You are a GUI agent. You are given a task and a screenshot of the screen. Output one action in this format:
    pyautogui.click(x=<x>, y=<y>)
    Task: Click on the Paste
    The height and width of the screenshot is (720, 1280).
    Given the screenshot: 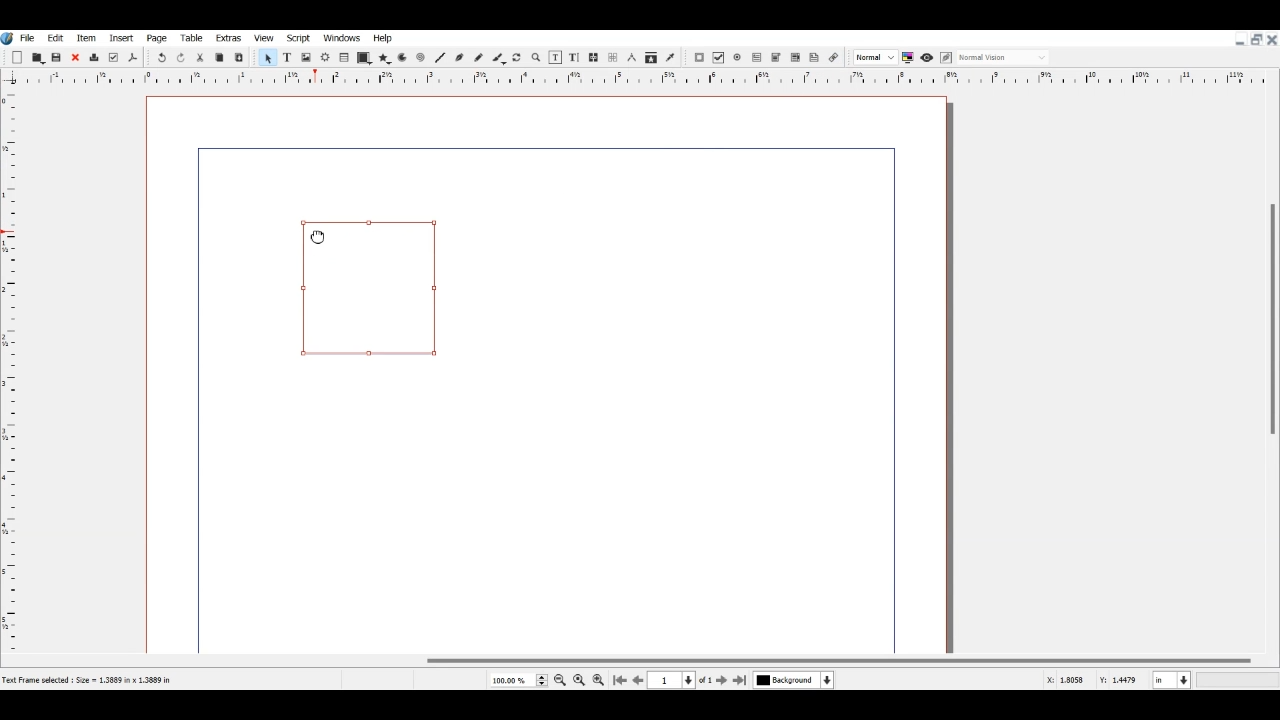 What is the action you would take?
    pyautogui.click(x=239, y=57)
    